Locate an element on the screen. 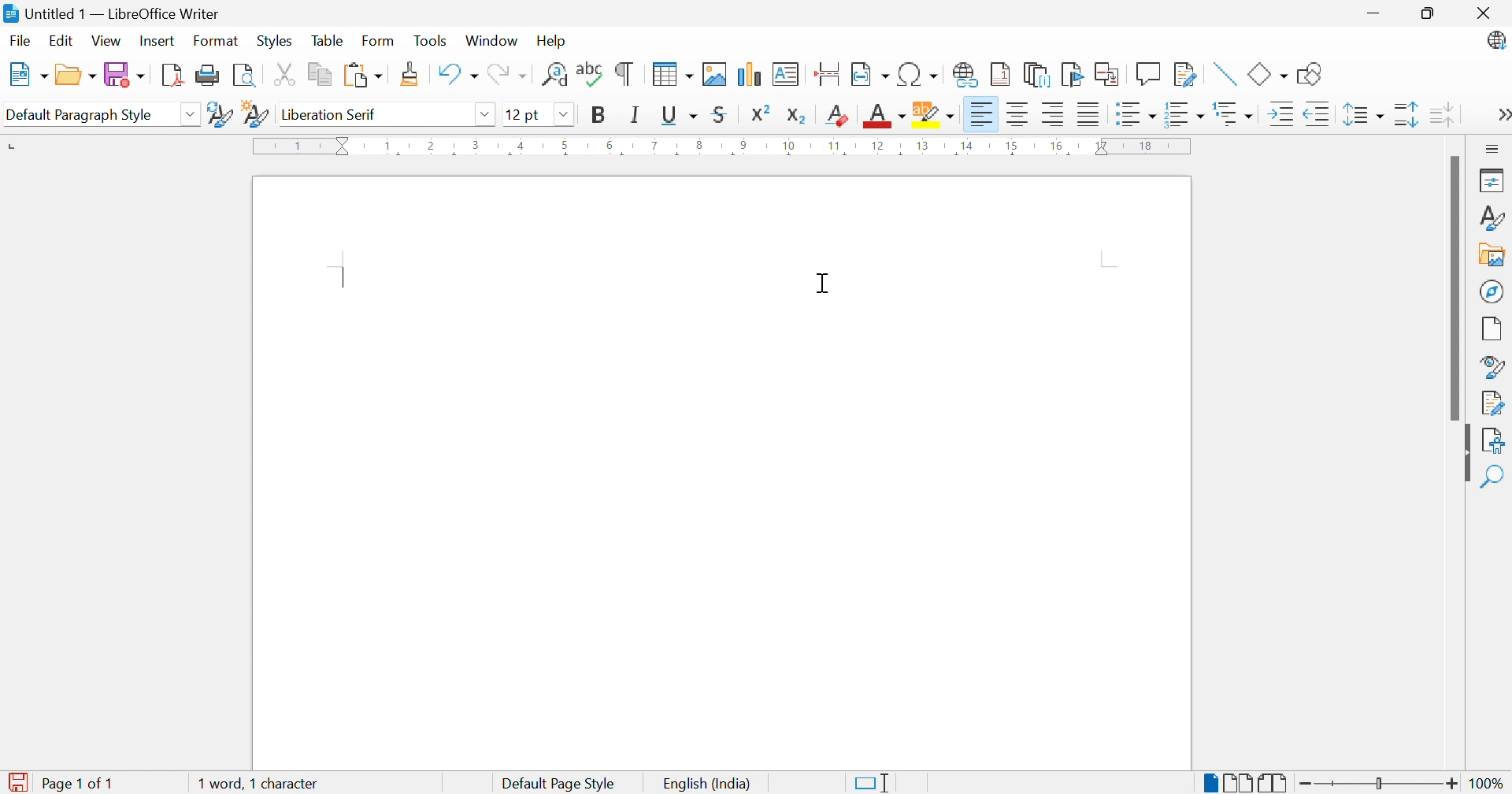 Image resolution: width=1512 pixels, height=794 pixels. Clone Formatting is located at coordinates (410, 73).